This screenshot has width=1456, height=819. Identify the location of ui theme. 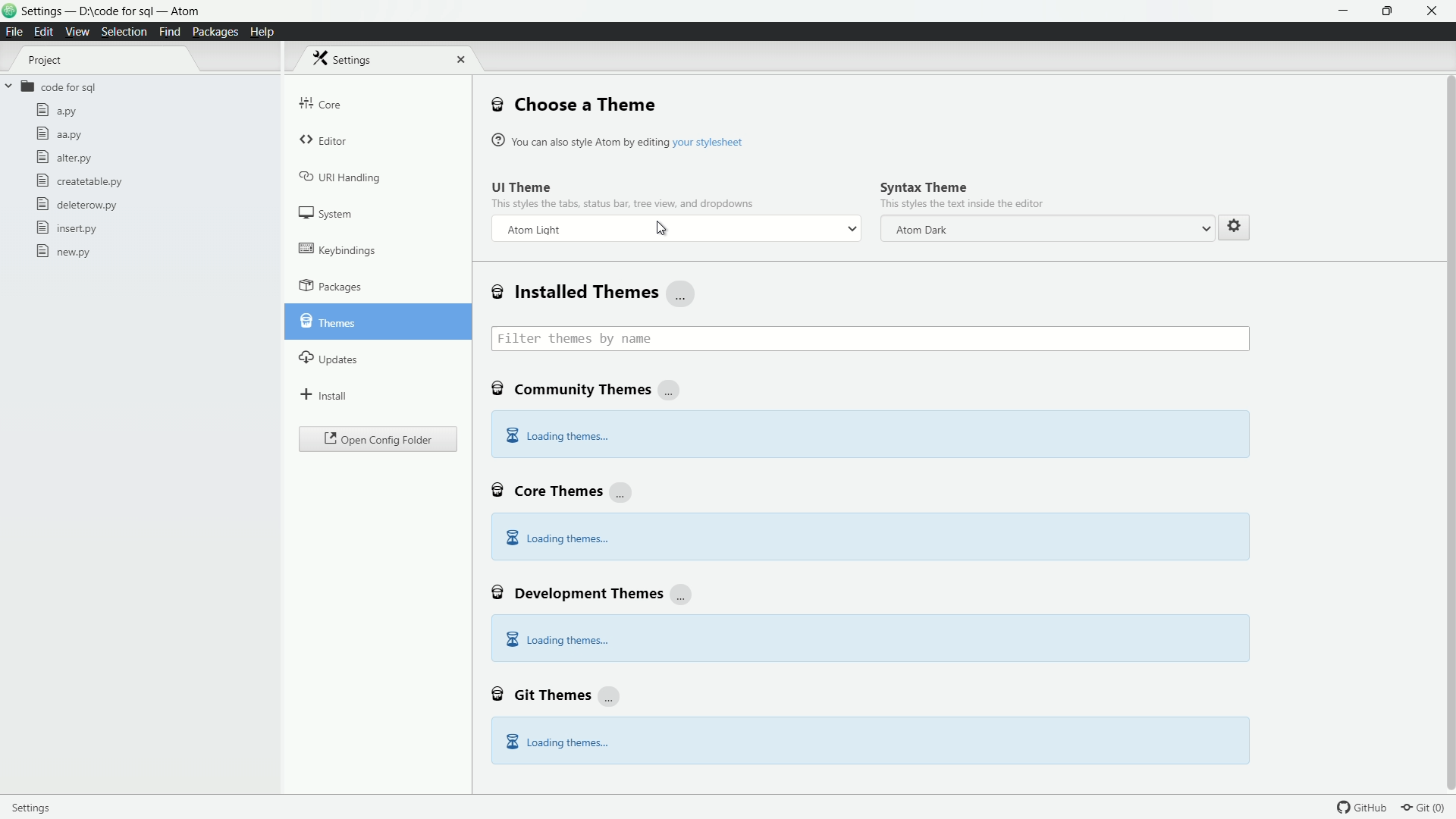
(522, 187).